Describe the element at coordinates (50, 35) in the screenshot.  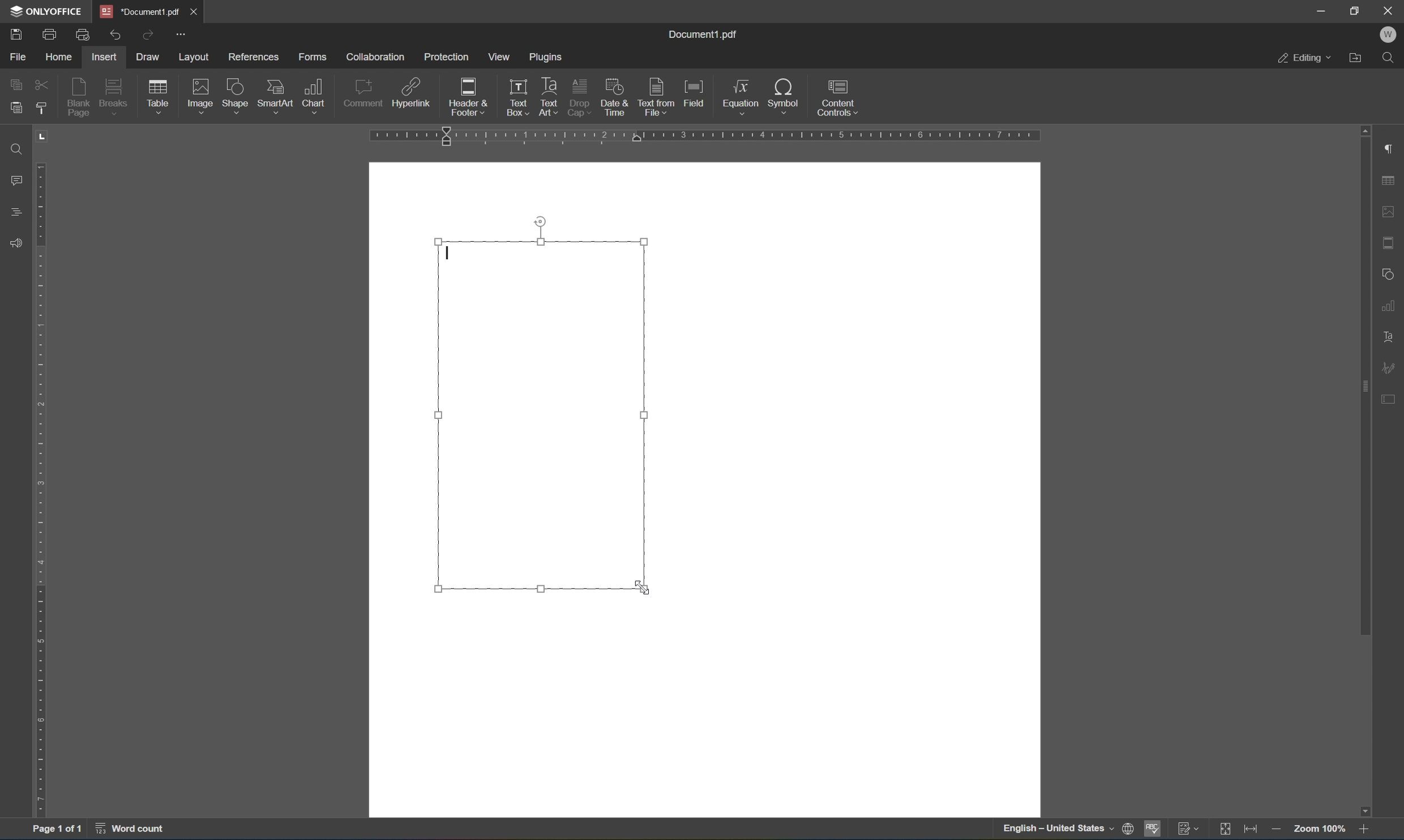
I see `Print` at that location.